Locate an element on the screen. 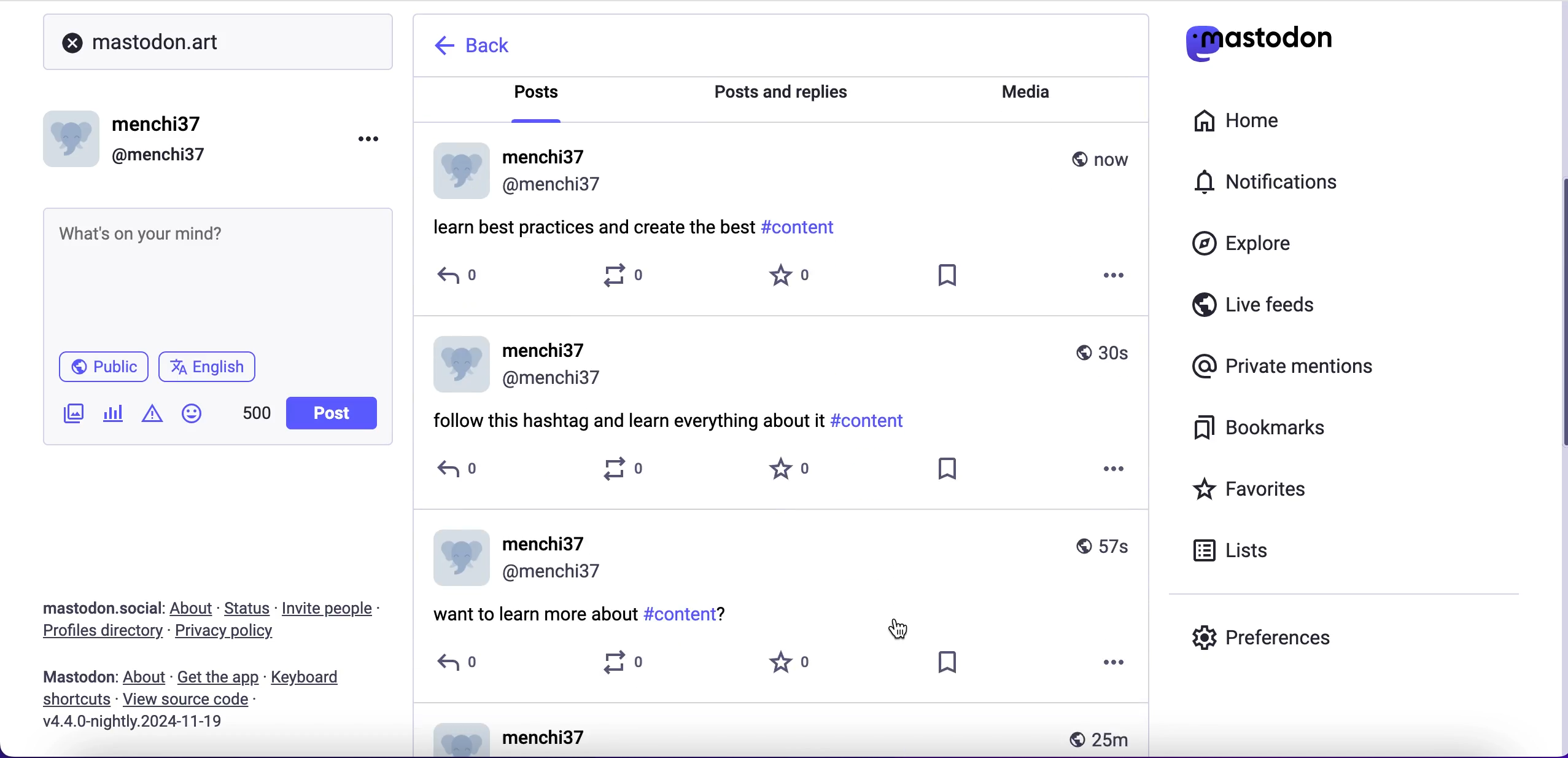 Image resolution: width=1568 pixels, height=758 pixels. 2024-11-19 is located at coordinates (166, 724).